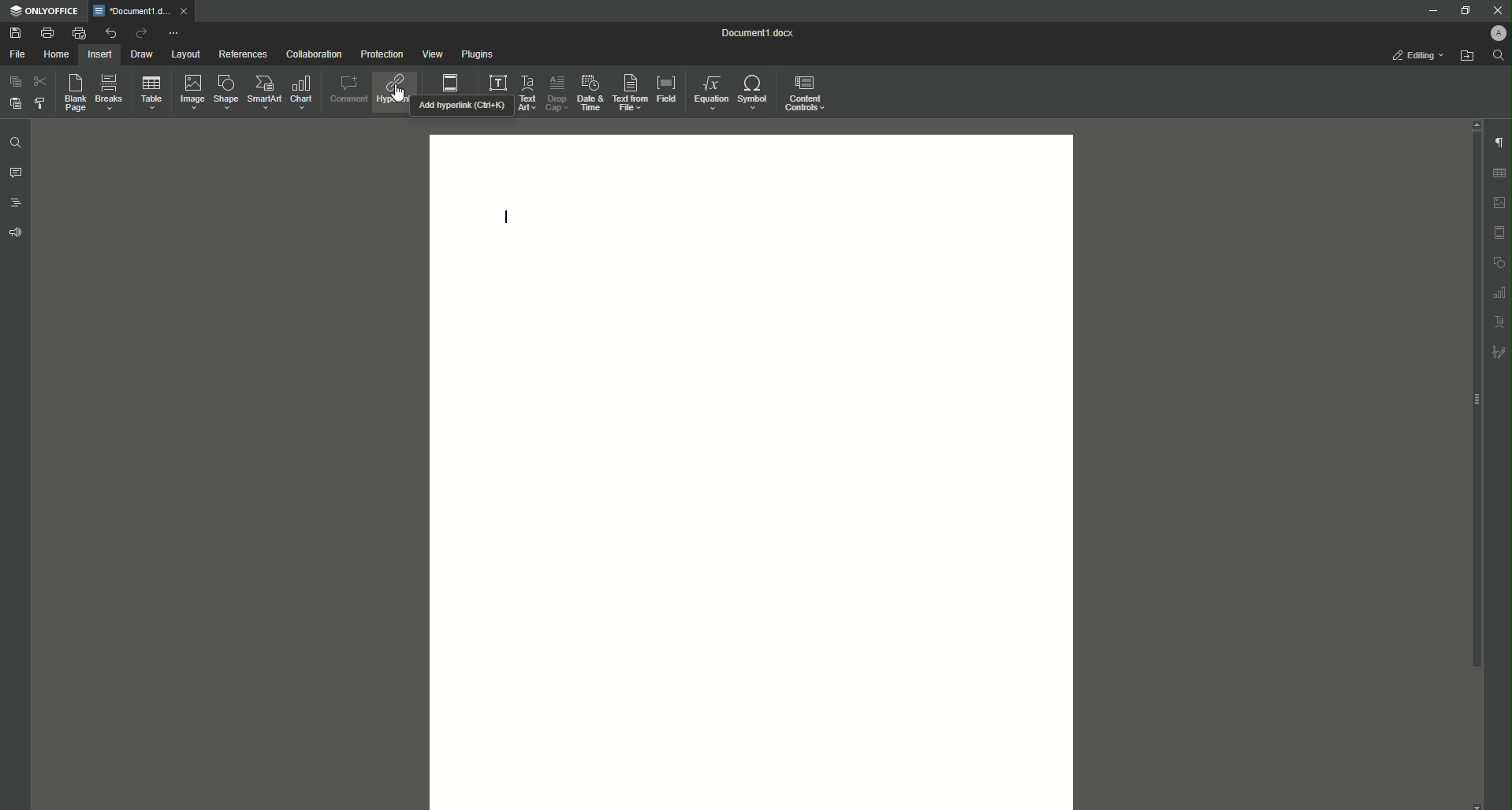 This screenshot has height=810, width=1512. Describe the element at coordinates (300, 93) in the screenshot. I see `Chart` at that location.